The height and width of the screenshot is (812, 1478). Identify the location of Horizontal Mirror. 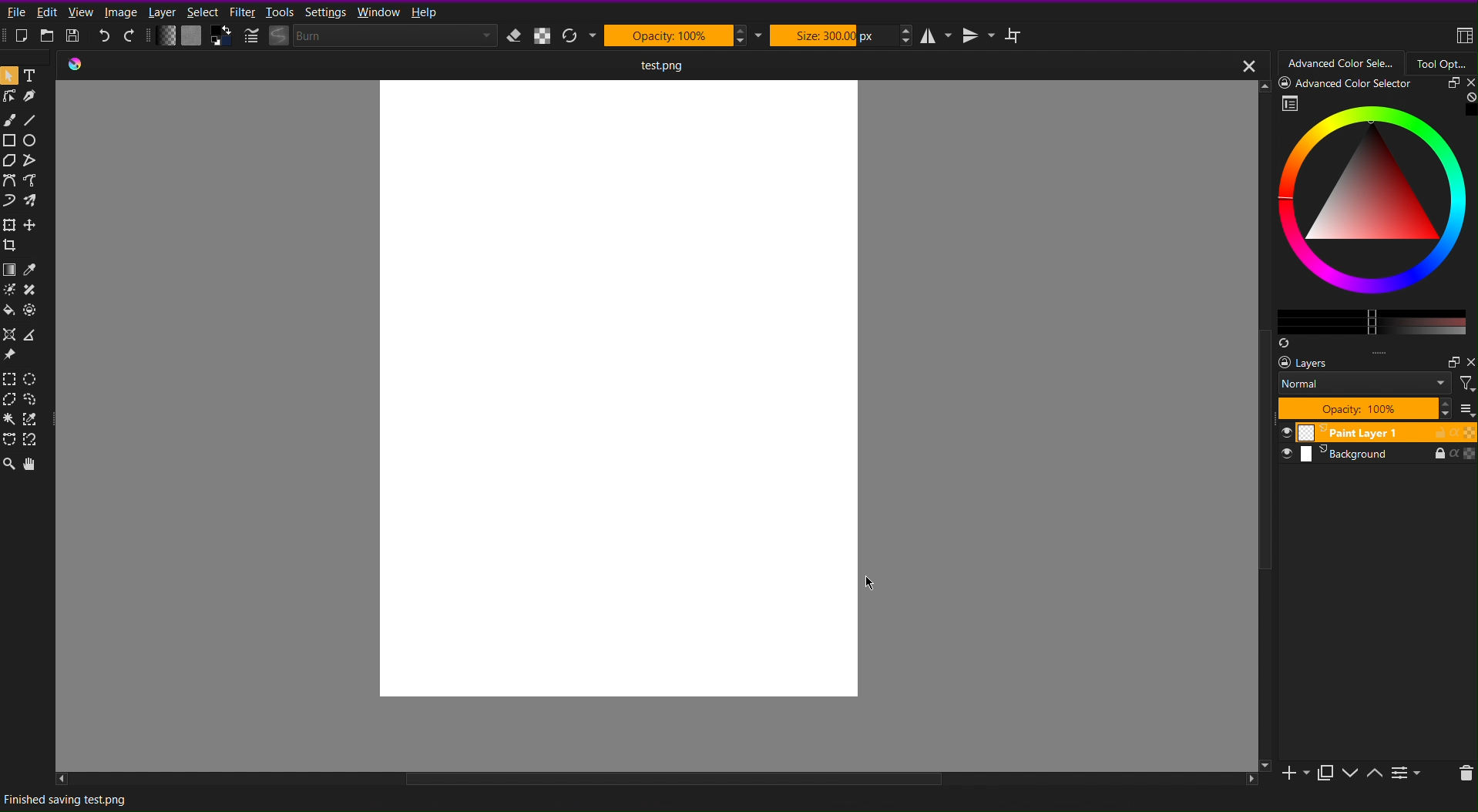
(939, 35).